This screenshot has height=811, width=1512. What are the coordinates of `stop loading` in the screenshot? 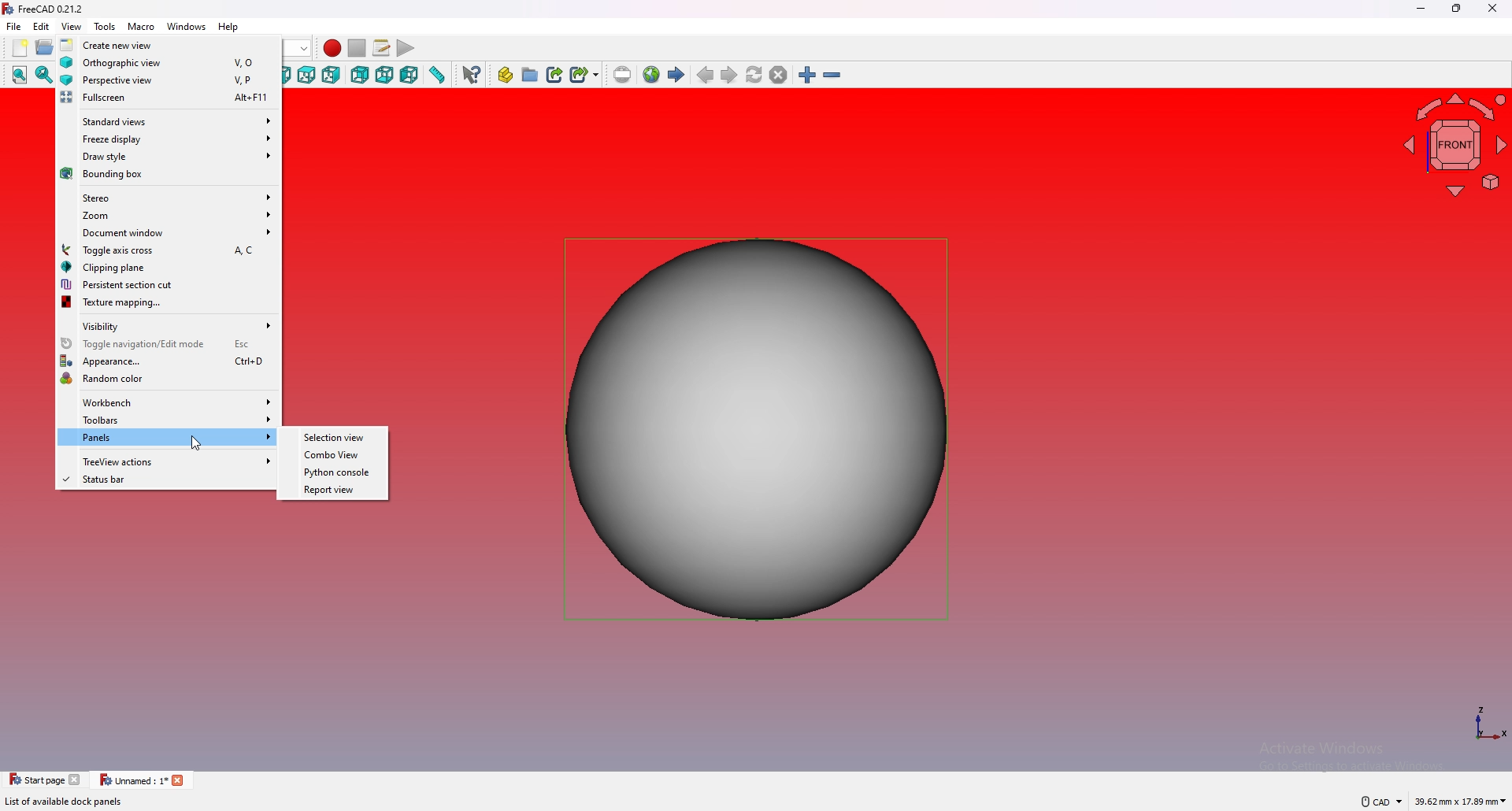 It's located at (778, 74).